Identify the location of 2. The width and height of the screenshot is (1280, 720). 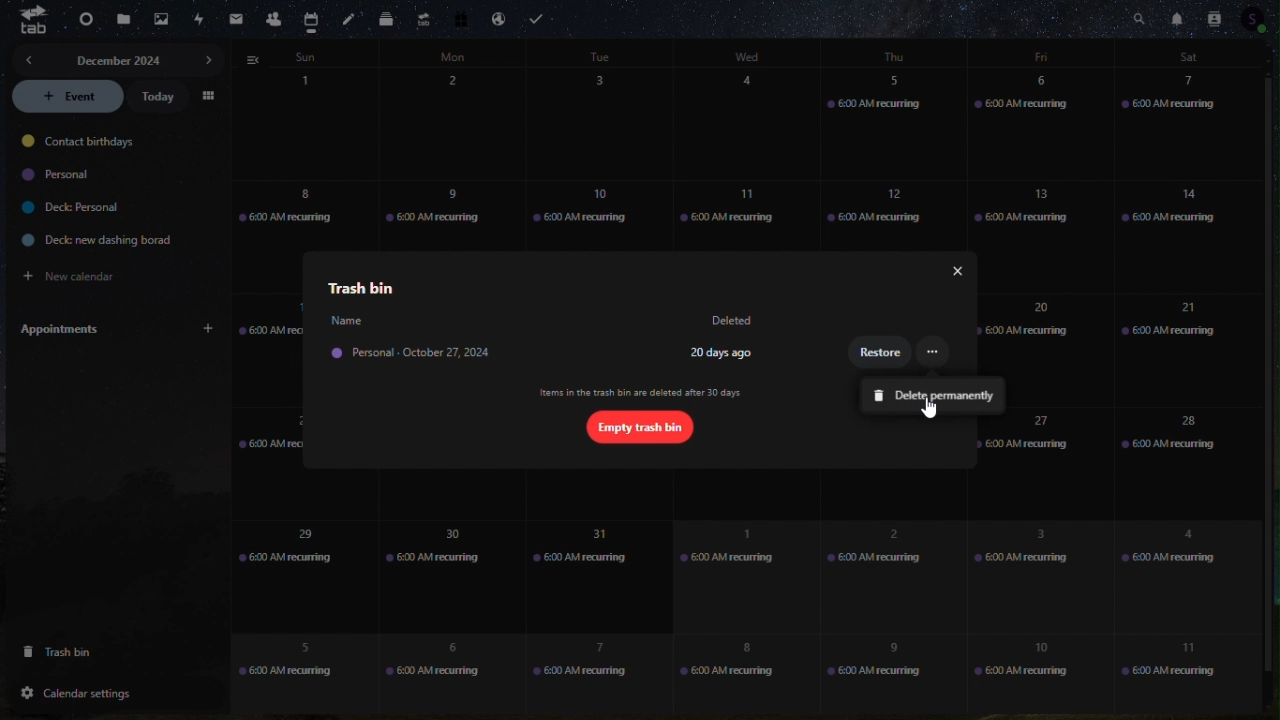
(886, 568).